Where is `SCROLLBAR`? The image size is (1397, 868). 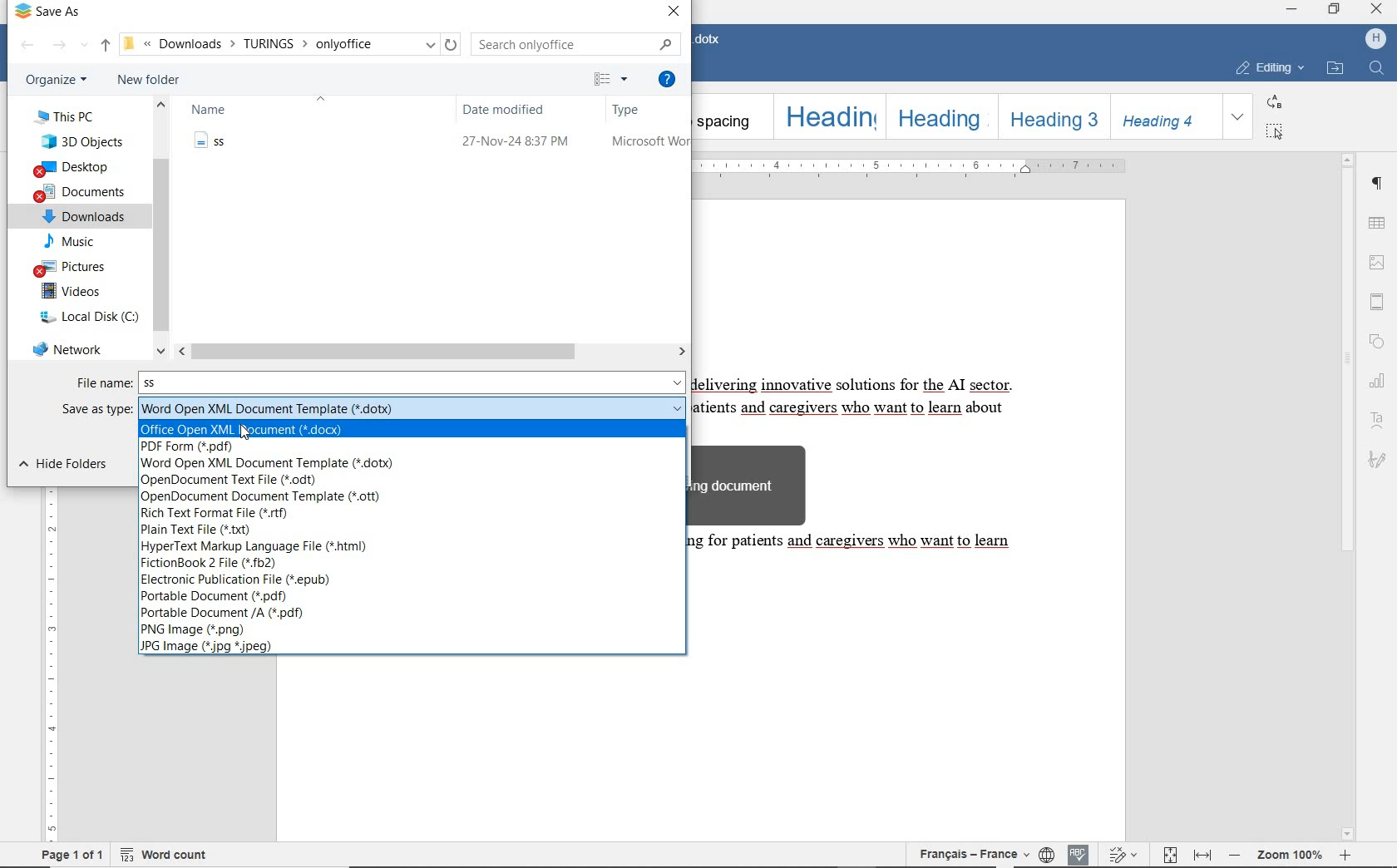 SCROLLBAR is located at coordinates (1347, 497).